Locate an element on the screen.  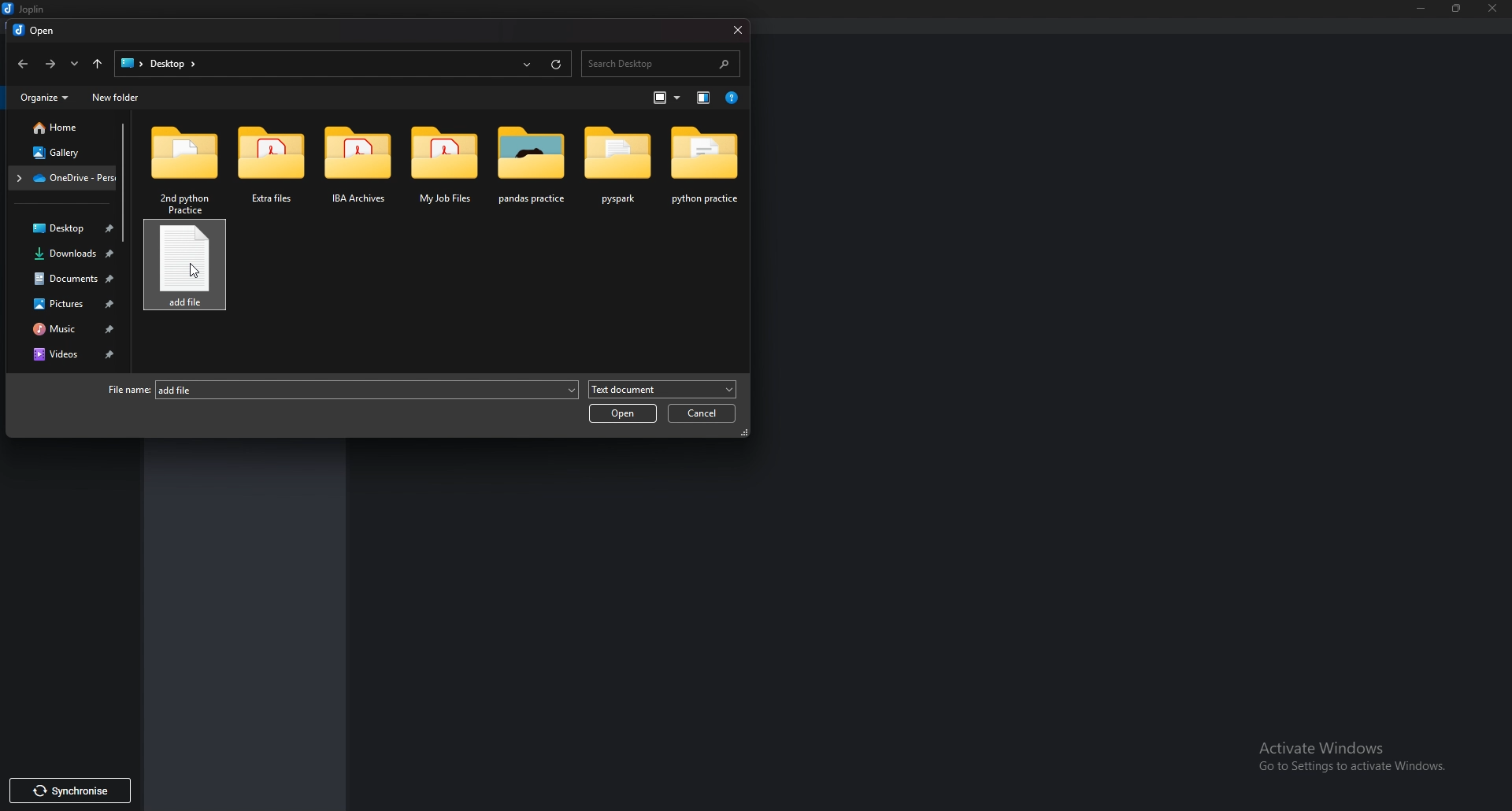
Change view is located at coordinates (667, 98).